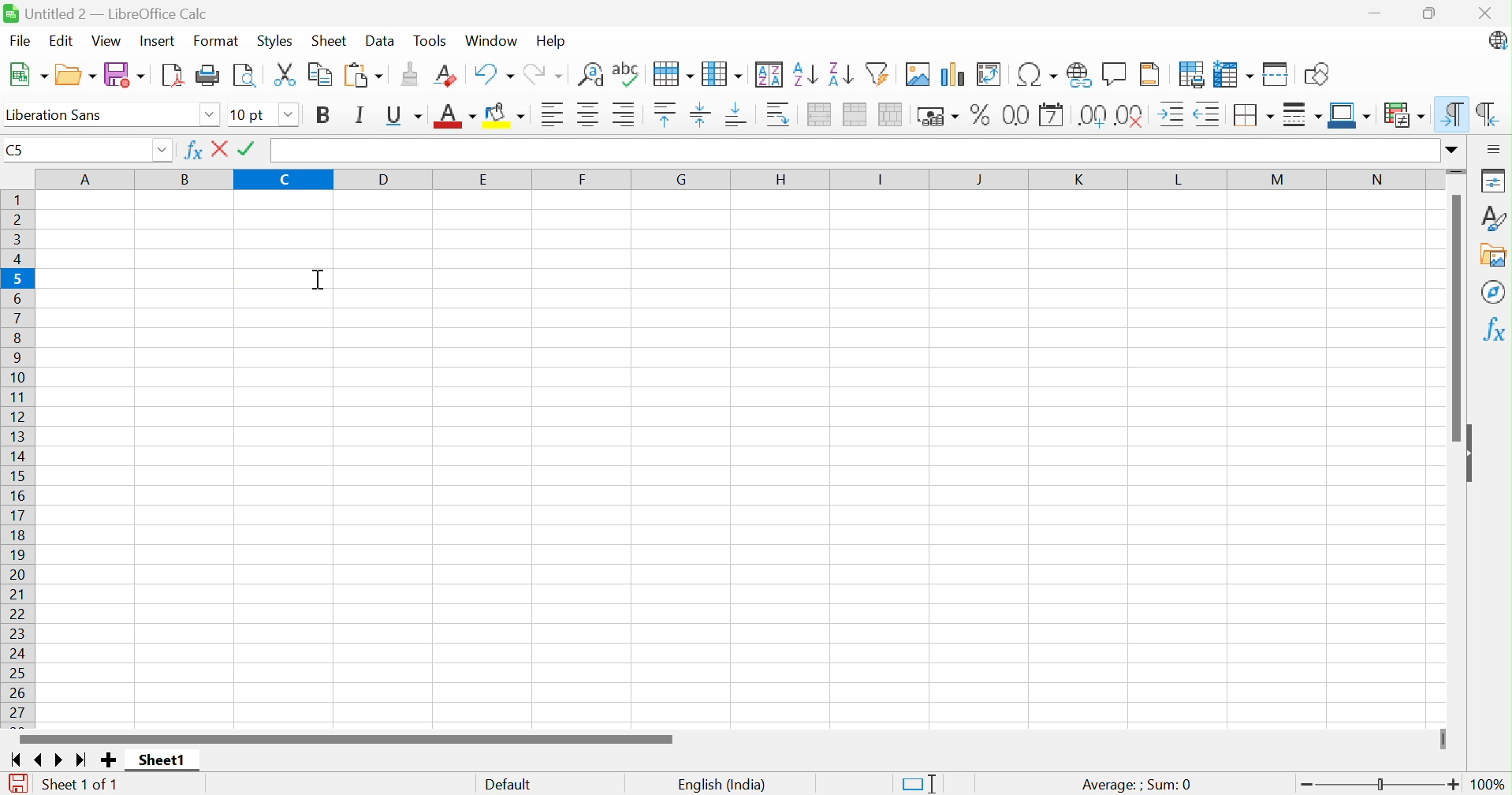 The image size is (1512, 795). Describe the element at coordinates (954, 76) in the screenshot. I see `Insert chart` at that location.